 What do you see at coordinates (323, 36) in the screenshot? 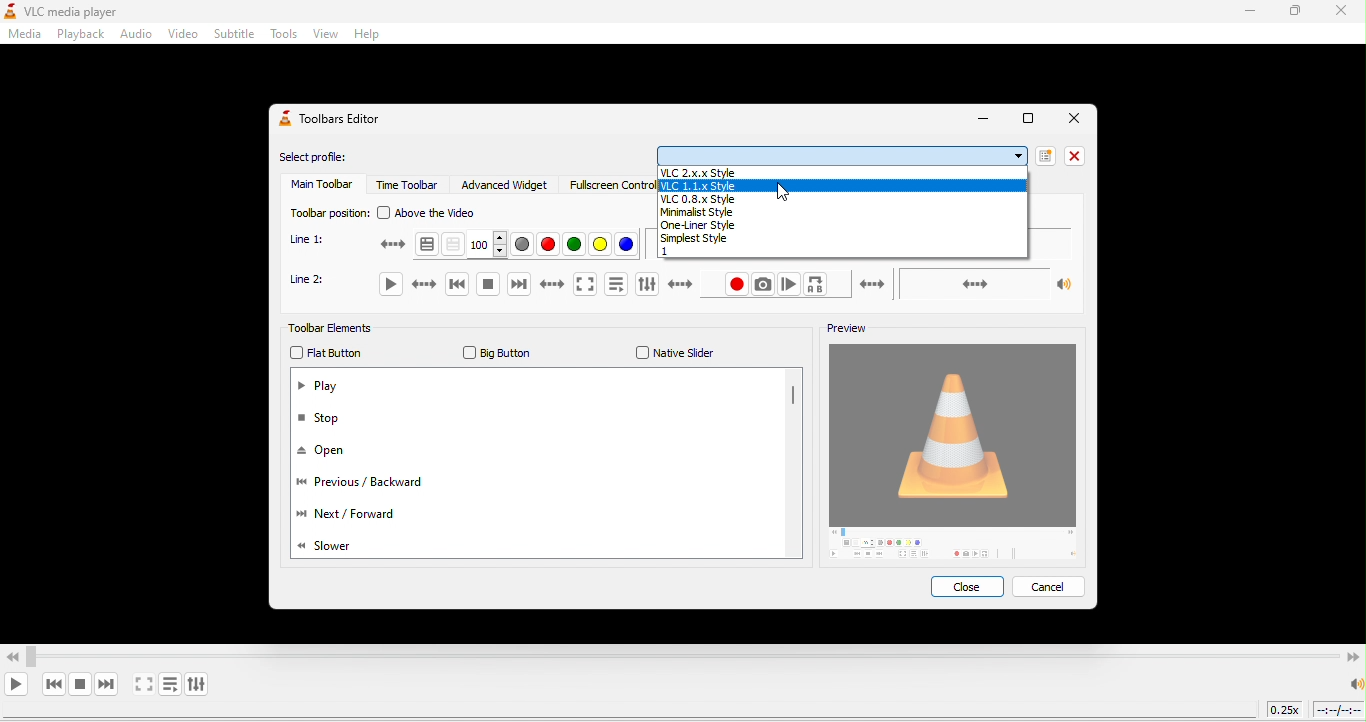
I see `view` at bounding box center [323, 36].